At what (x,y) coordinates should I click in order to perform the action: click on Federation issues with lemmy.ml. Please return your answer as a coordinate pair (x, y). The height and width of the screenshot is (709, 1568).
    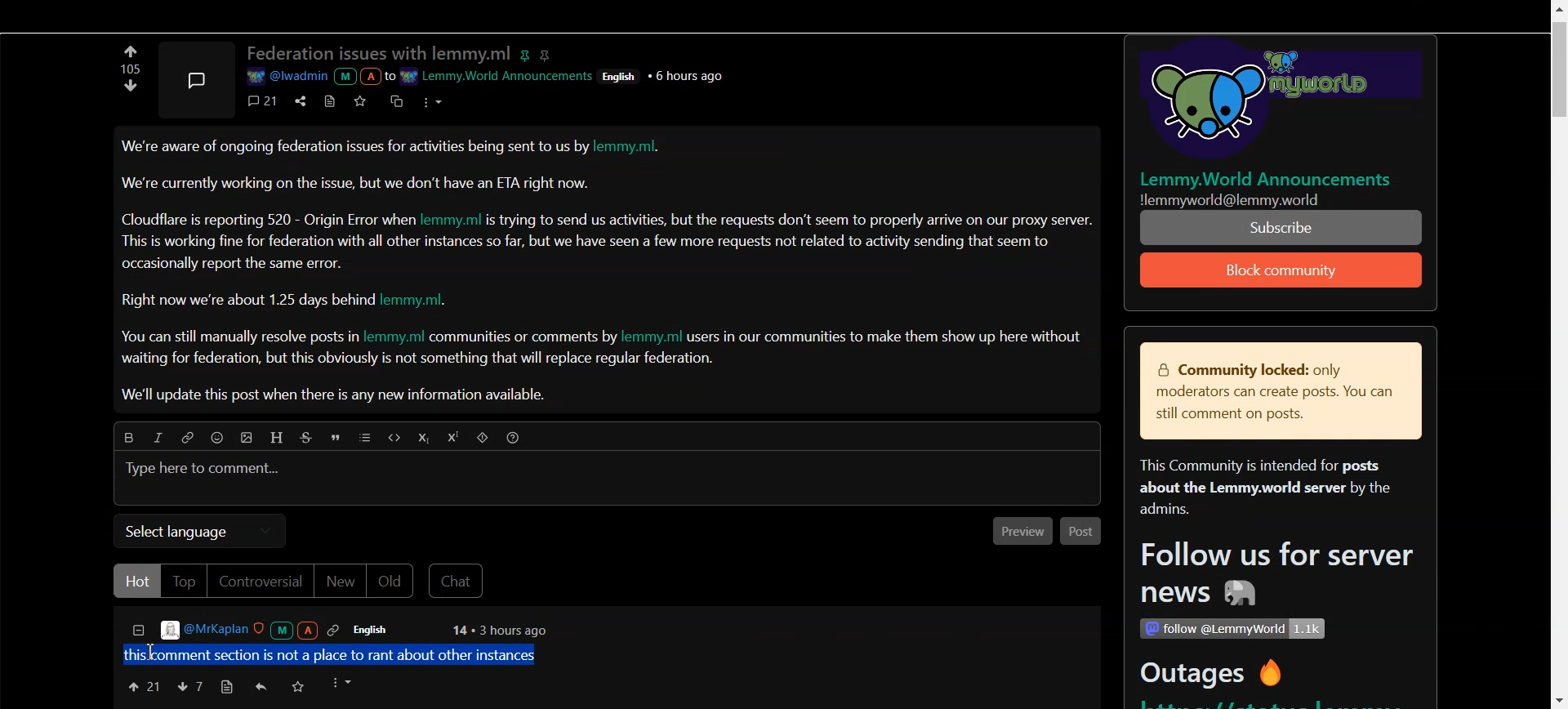
    Looking at the image, I should click on (379, 54).